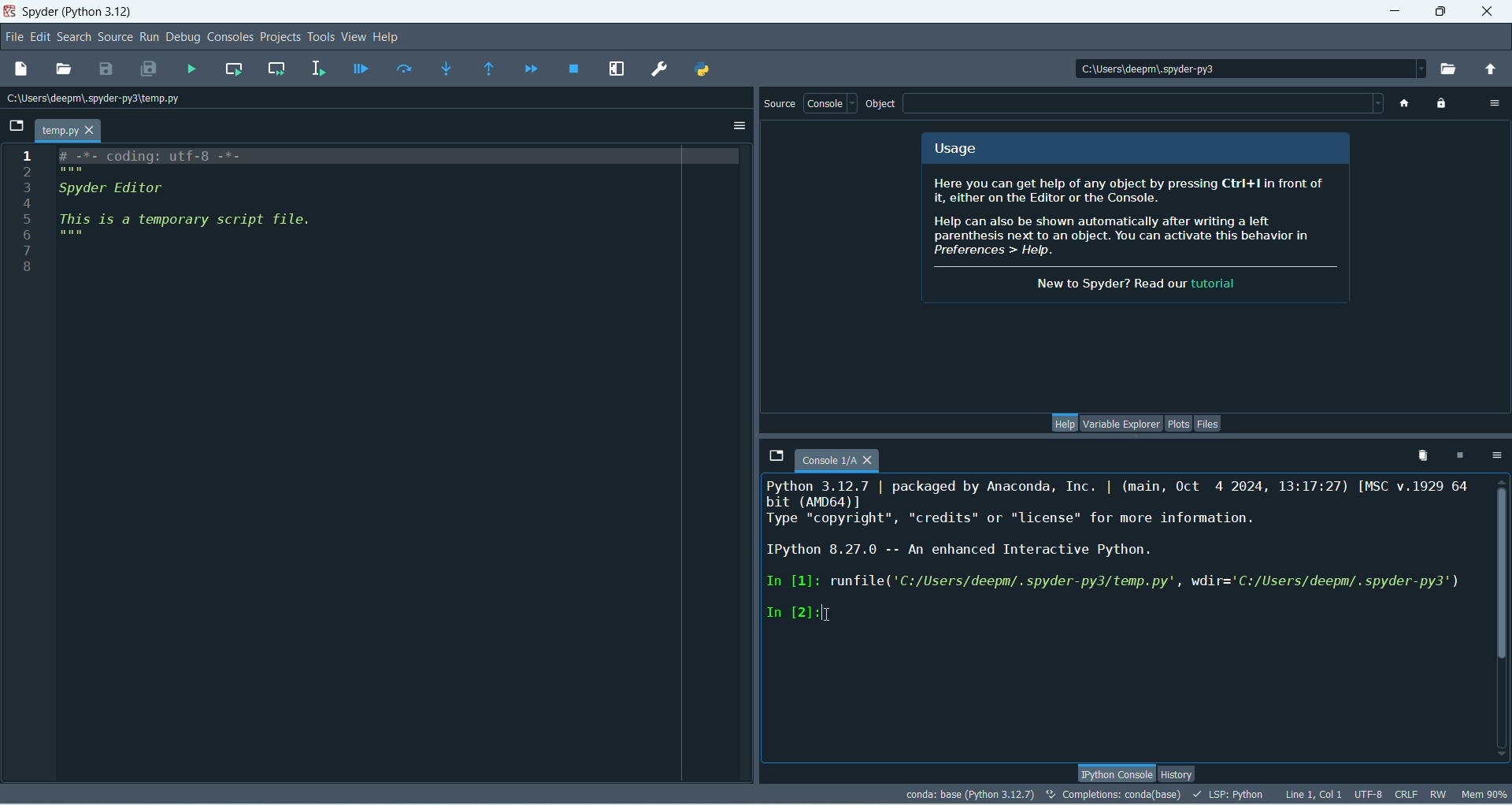 The width and height of the screenshot is (1512, 805). What do you see at coordinates (9, 13) in the screenshot?
I see `logo` at bounding box center [9, 13].